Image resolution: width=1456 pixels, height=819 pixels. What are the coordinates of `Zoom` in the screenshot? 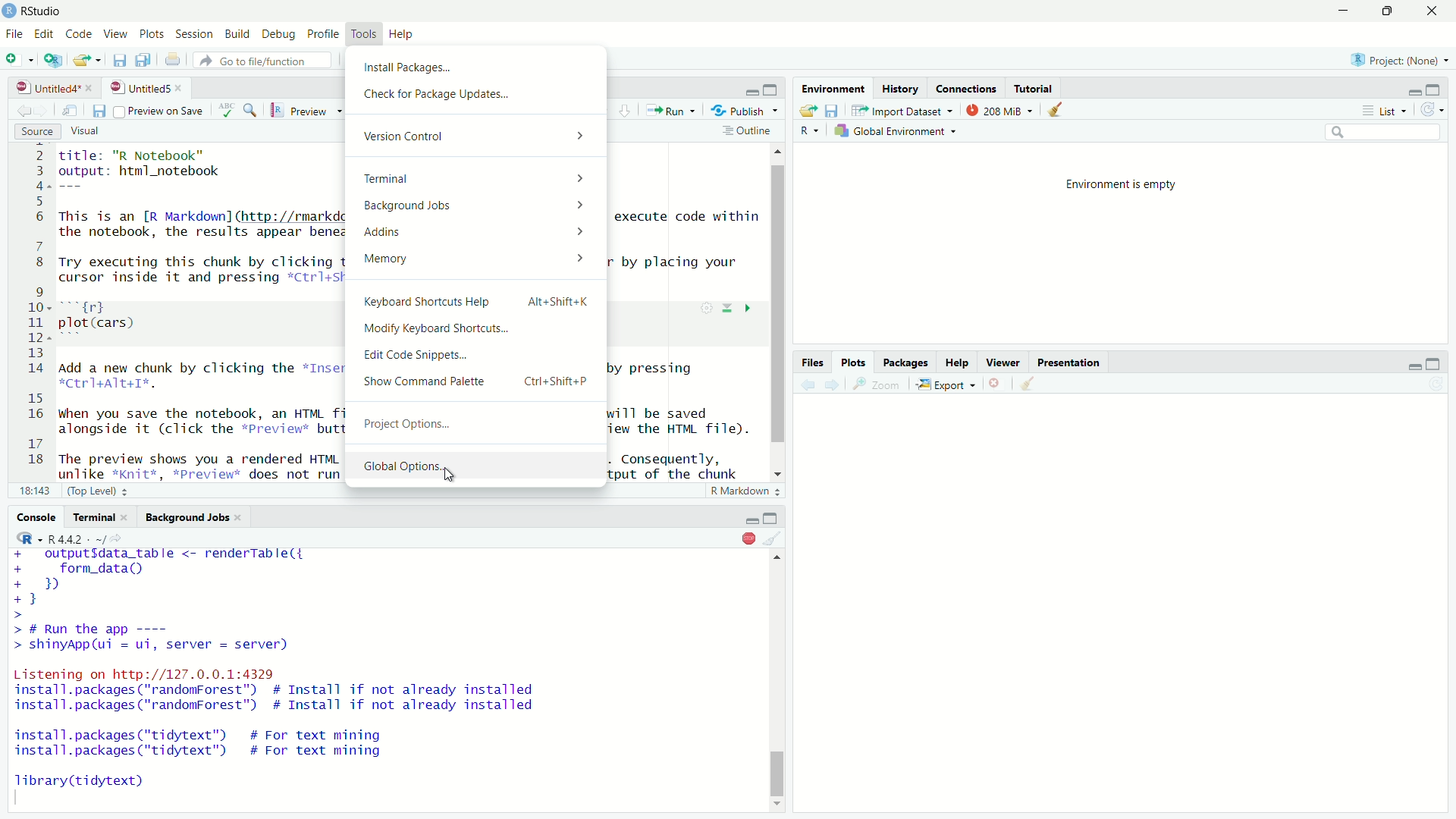 It's located at (877, 385).